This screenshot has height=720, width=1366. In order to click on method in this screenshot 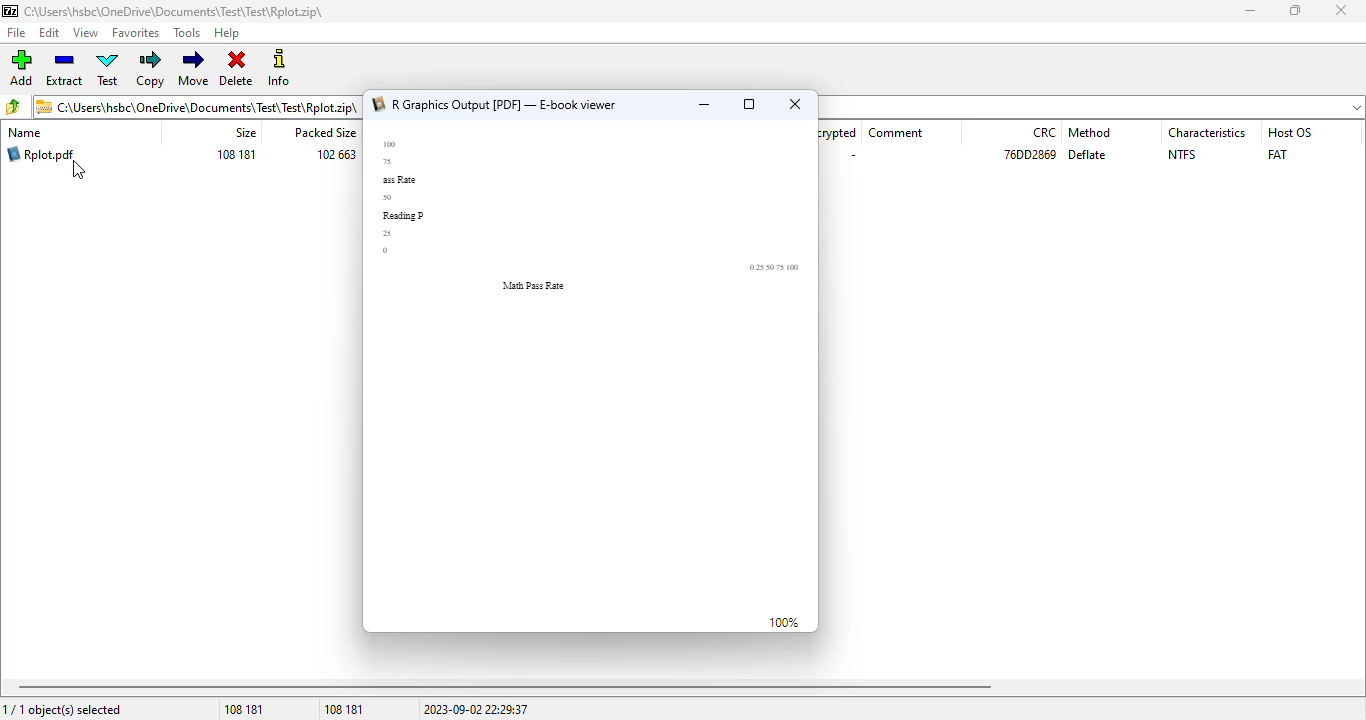, I will do `click(1089, 132)`.